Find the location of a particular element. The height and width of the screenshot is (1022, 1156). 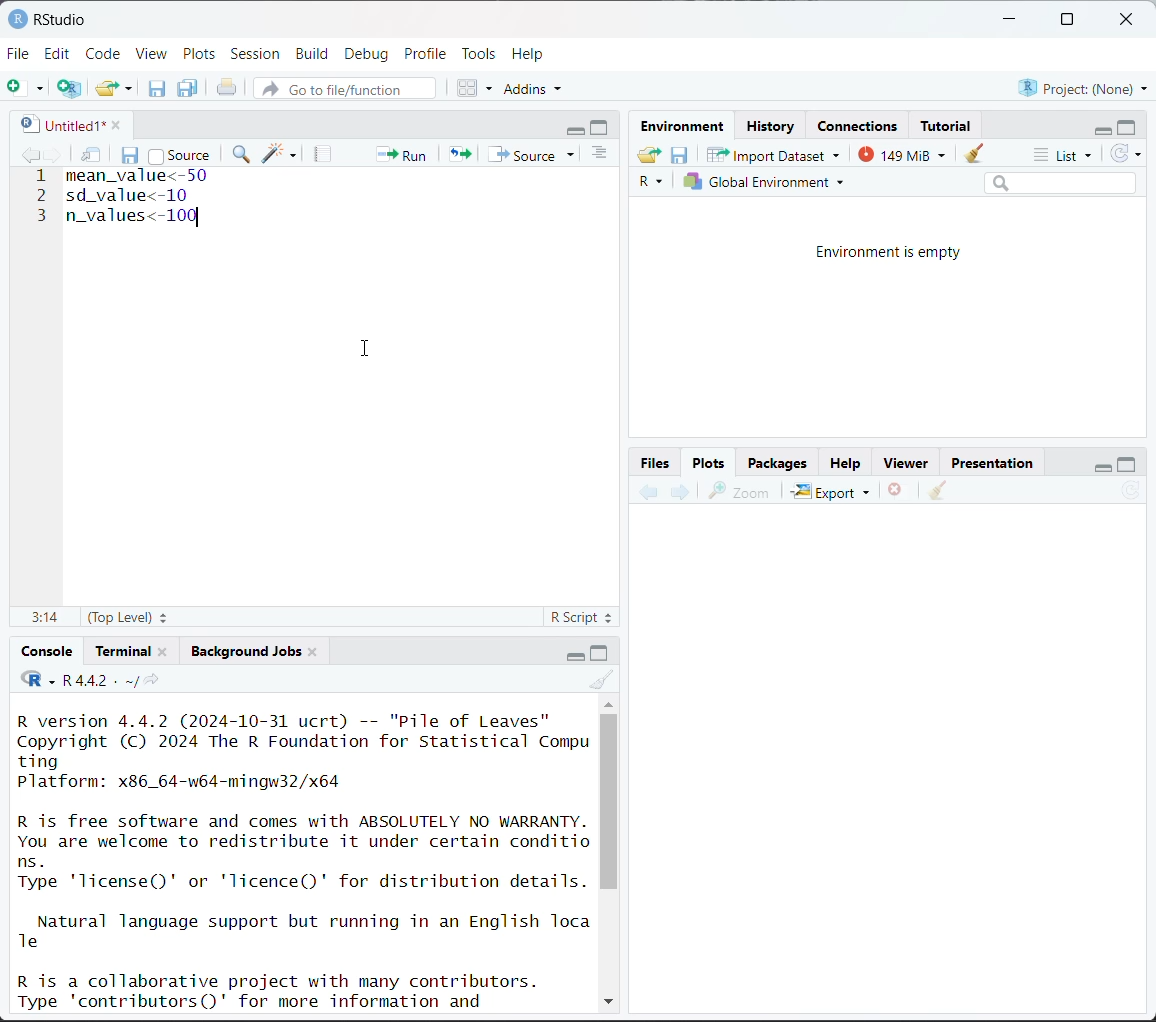

Help is located at coordinates (845, 465).